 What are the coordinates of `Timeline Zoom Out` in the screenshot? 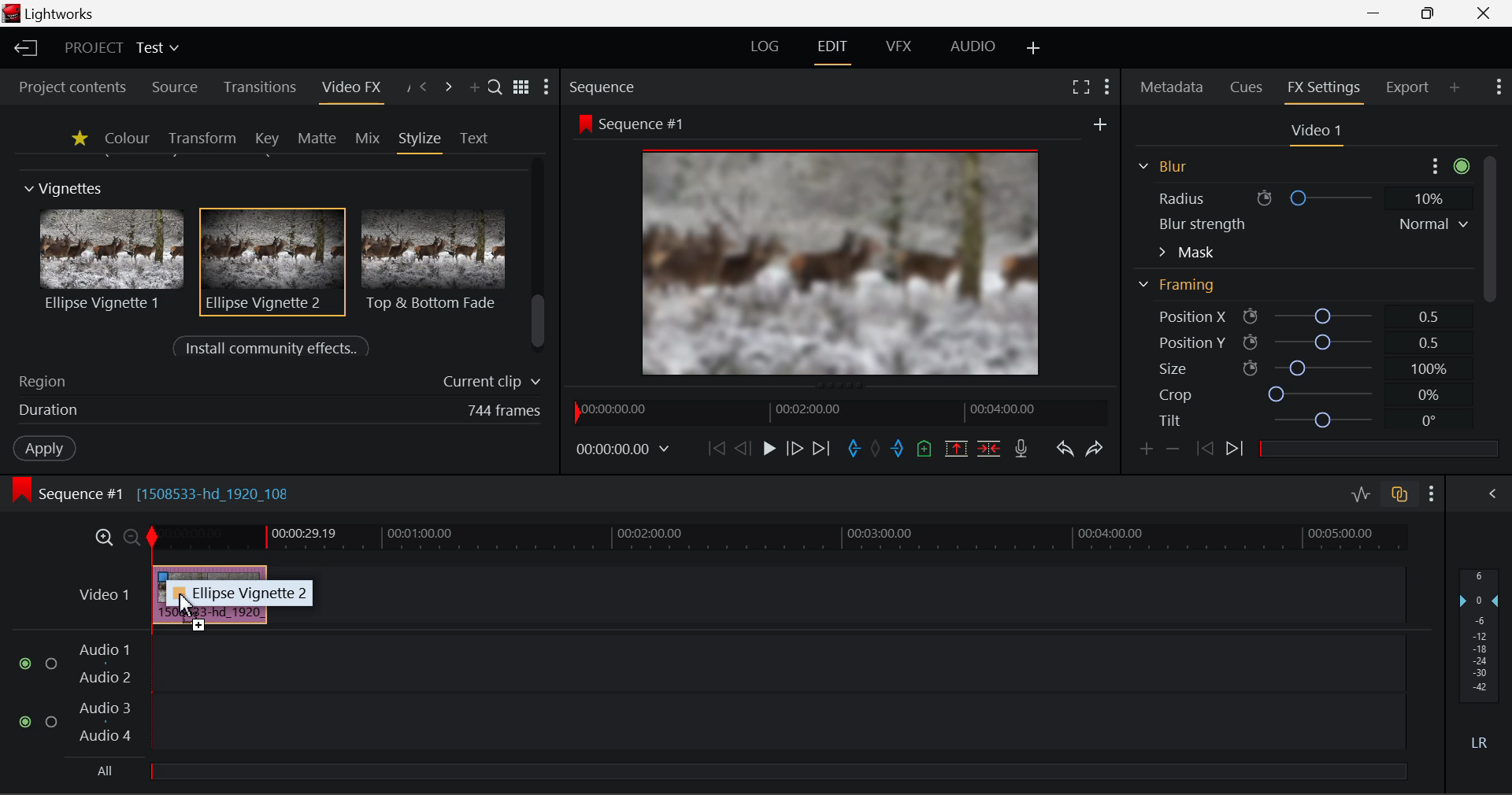 It's located at (131, 536).